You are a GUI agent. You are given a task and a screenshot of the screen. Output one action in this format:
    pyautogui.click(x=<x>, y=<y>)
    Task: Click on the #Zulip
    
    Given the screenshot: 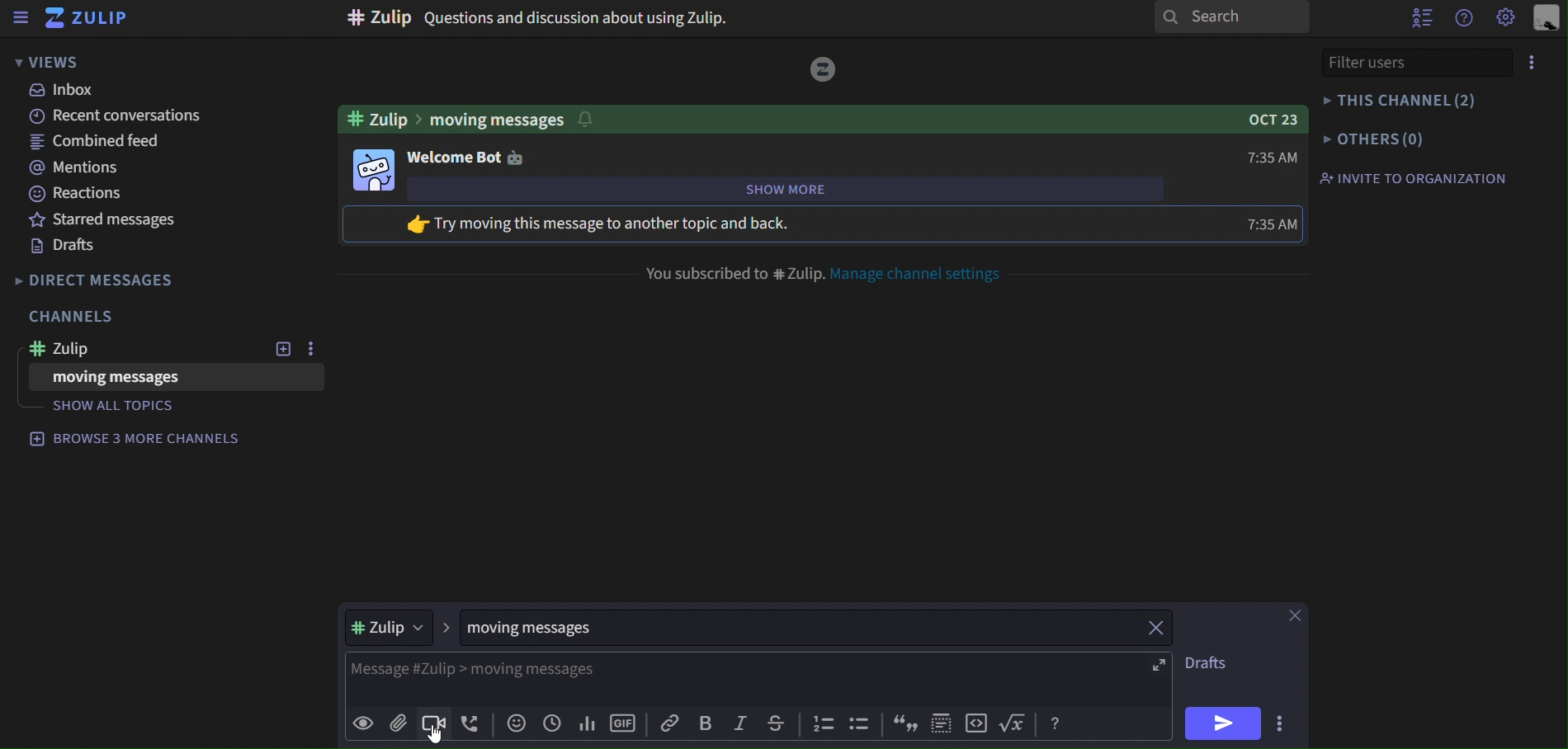 What is the action you would take?
    pyautogui.click(x=132, y=348)
    